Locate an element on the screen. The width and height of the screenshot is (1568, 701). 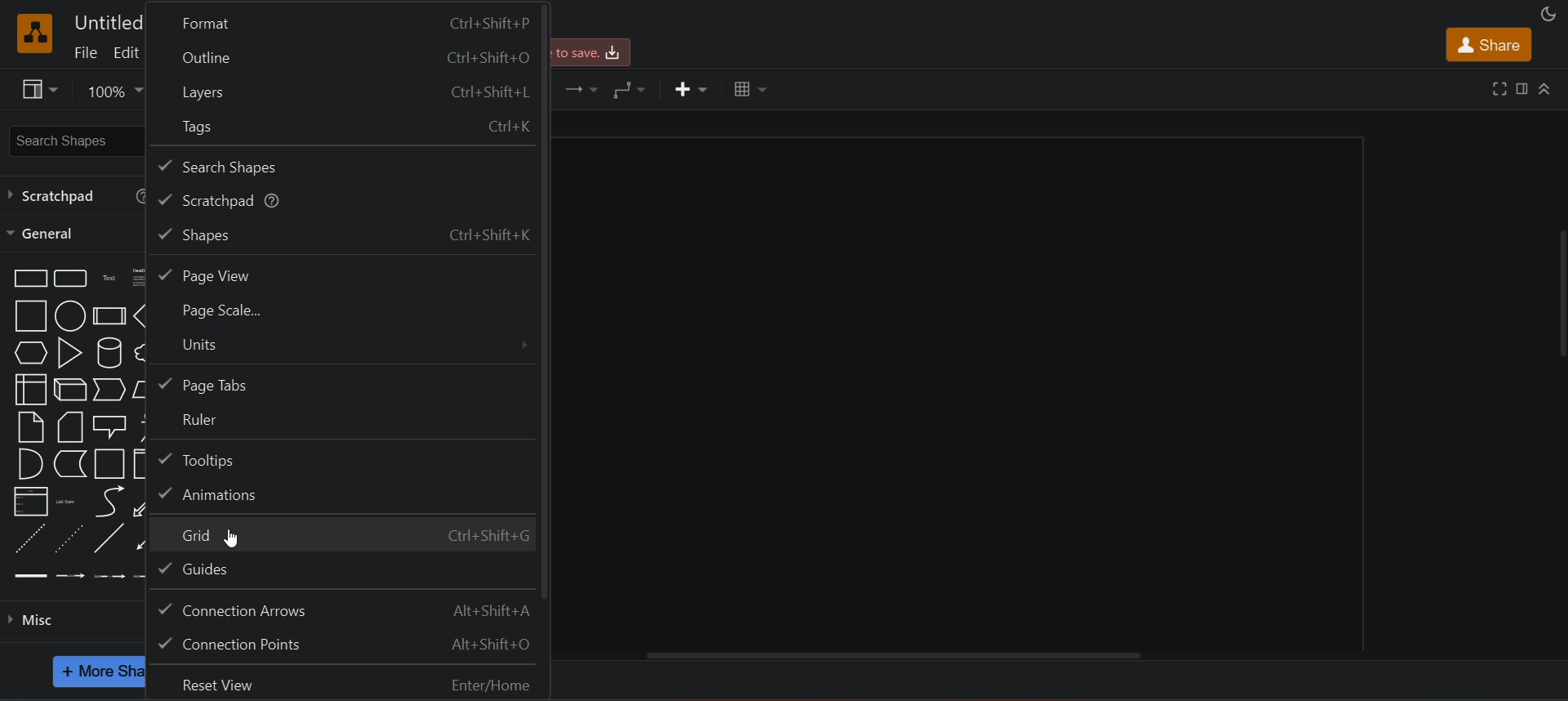
file is located at coordinates (85, 52).